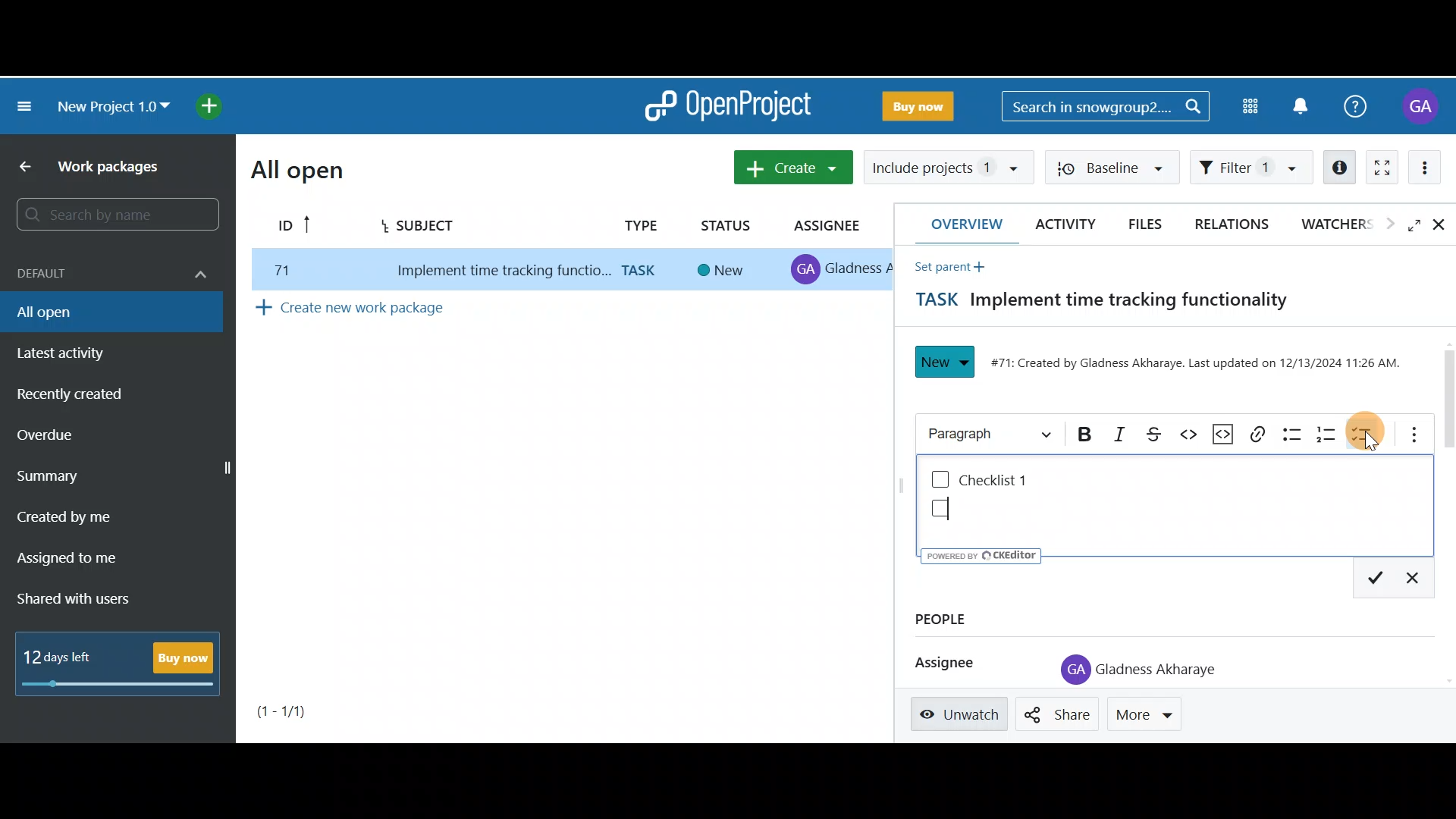 Image resolution: width=1456 pixels, height=819 pixels. Describe the element at coordinates (99, 166) in the screenshot. I see `Work packages` at that location.